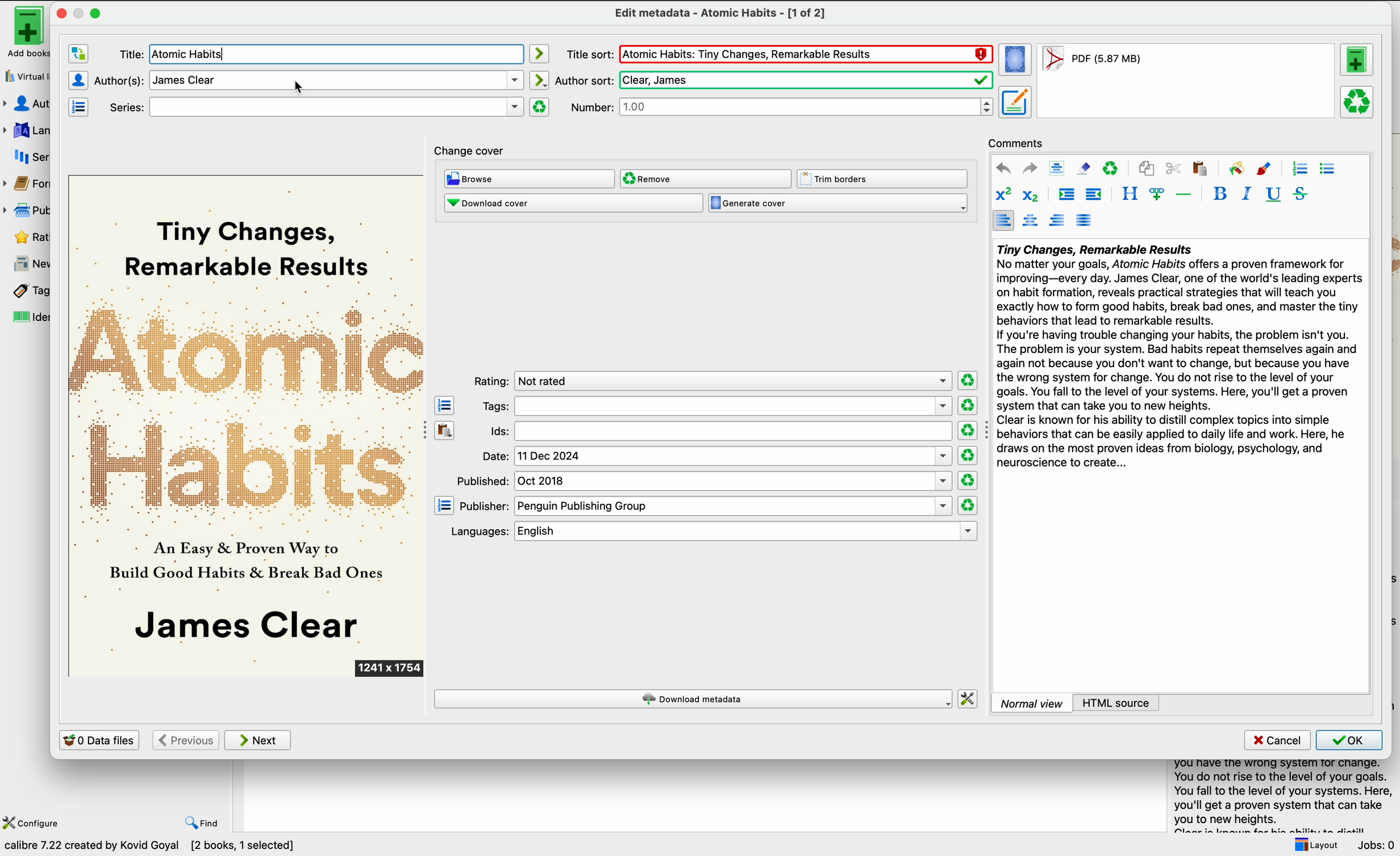  What do you see at coordinates (1178, 359) in the screenshot?
I see `summary` at bounding box center [1178, 359].